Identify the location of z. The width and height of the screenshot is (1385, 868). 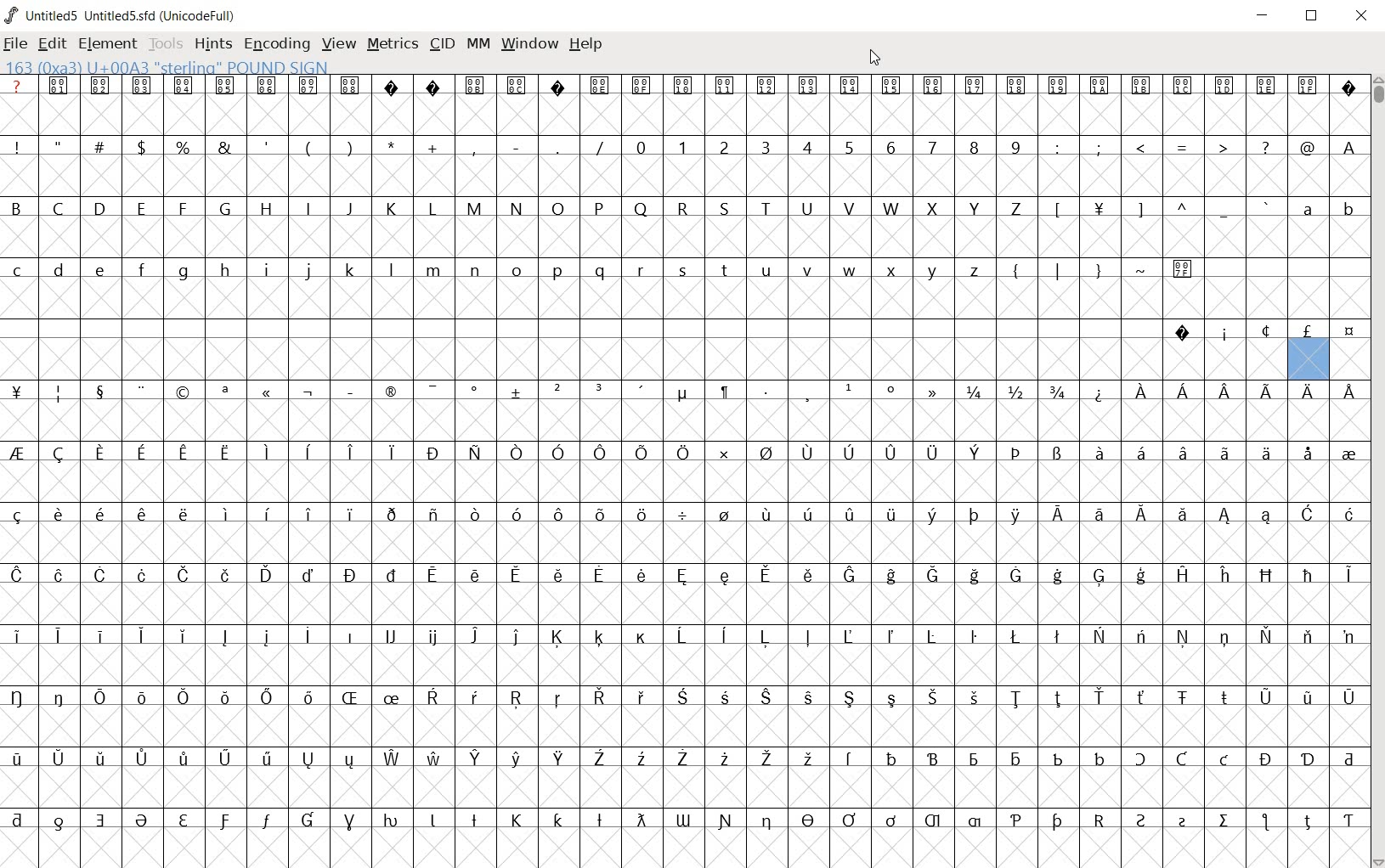
(975, 268).